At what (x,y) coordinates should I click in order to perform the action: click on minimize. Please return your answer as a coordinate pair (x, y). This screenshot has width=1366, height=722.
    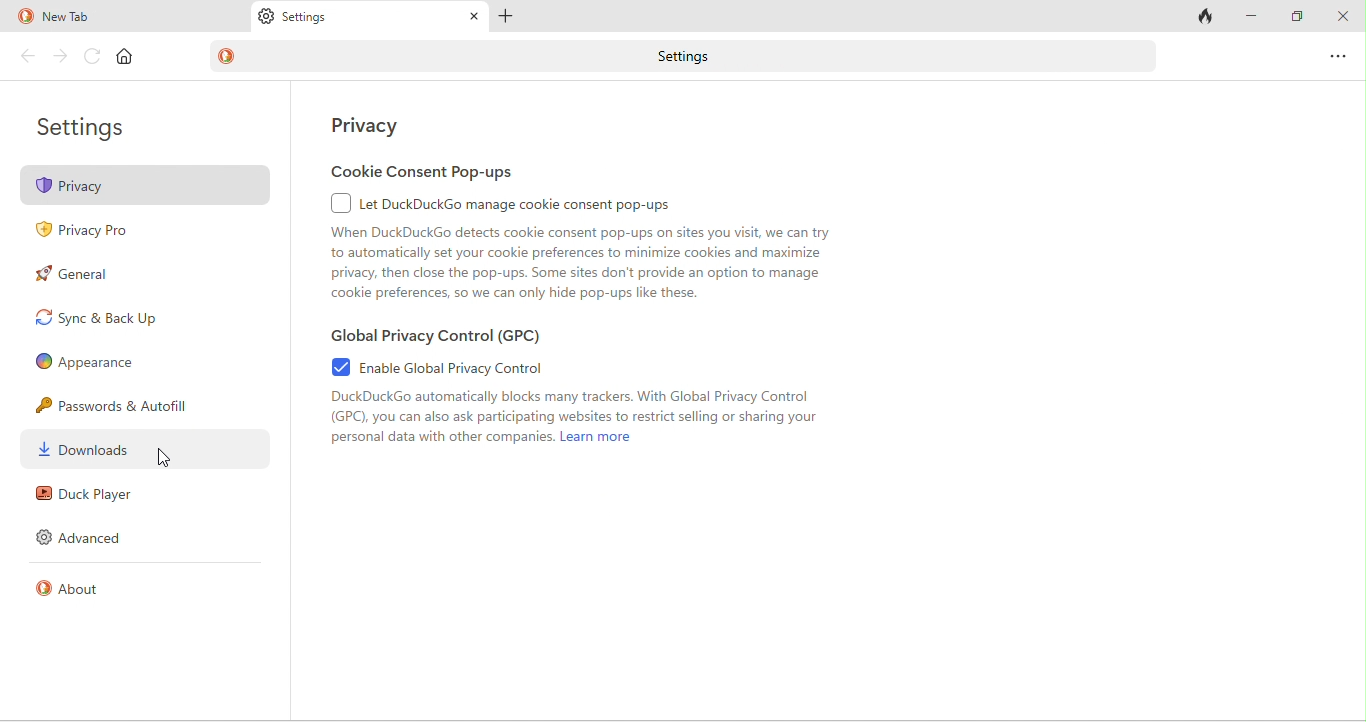
    Looking at the image, I should click on (1255, 16).